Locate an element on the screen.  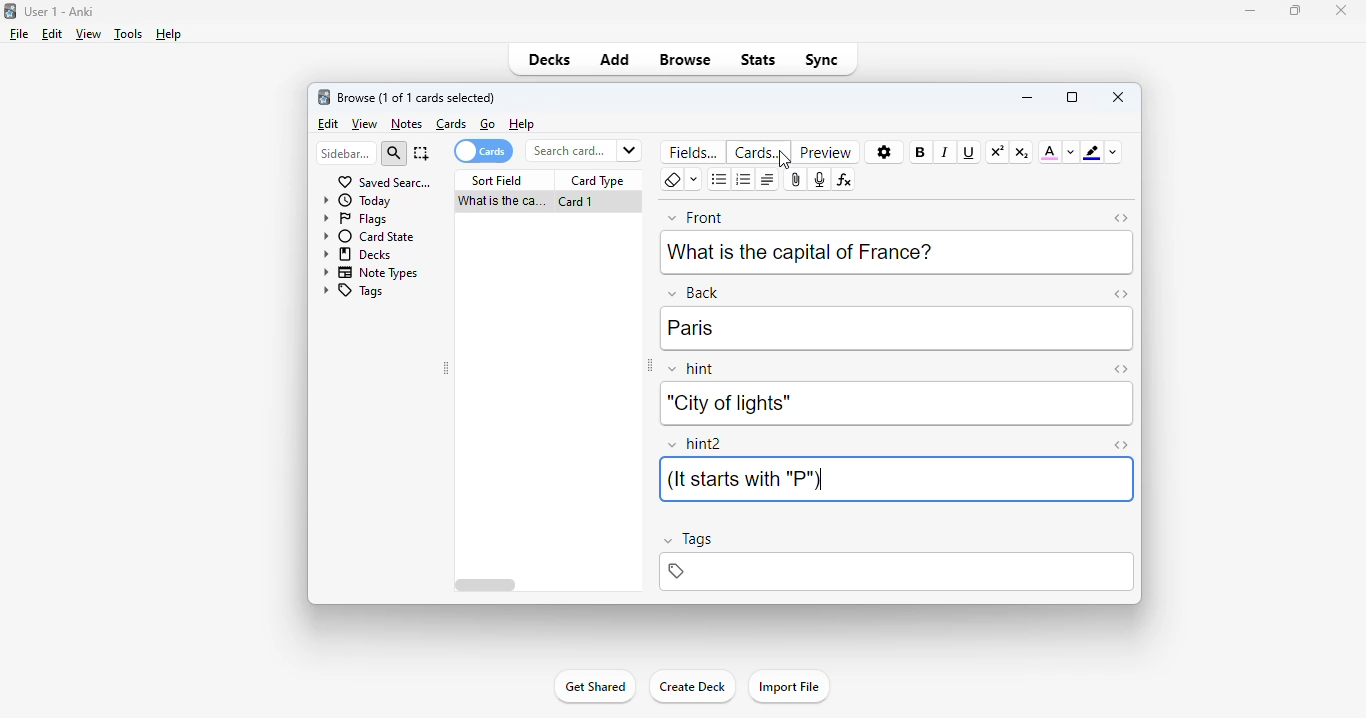
card type is located at coordinates (598, 181).